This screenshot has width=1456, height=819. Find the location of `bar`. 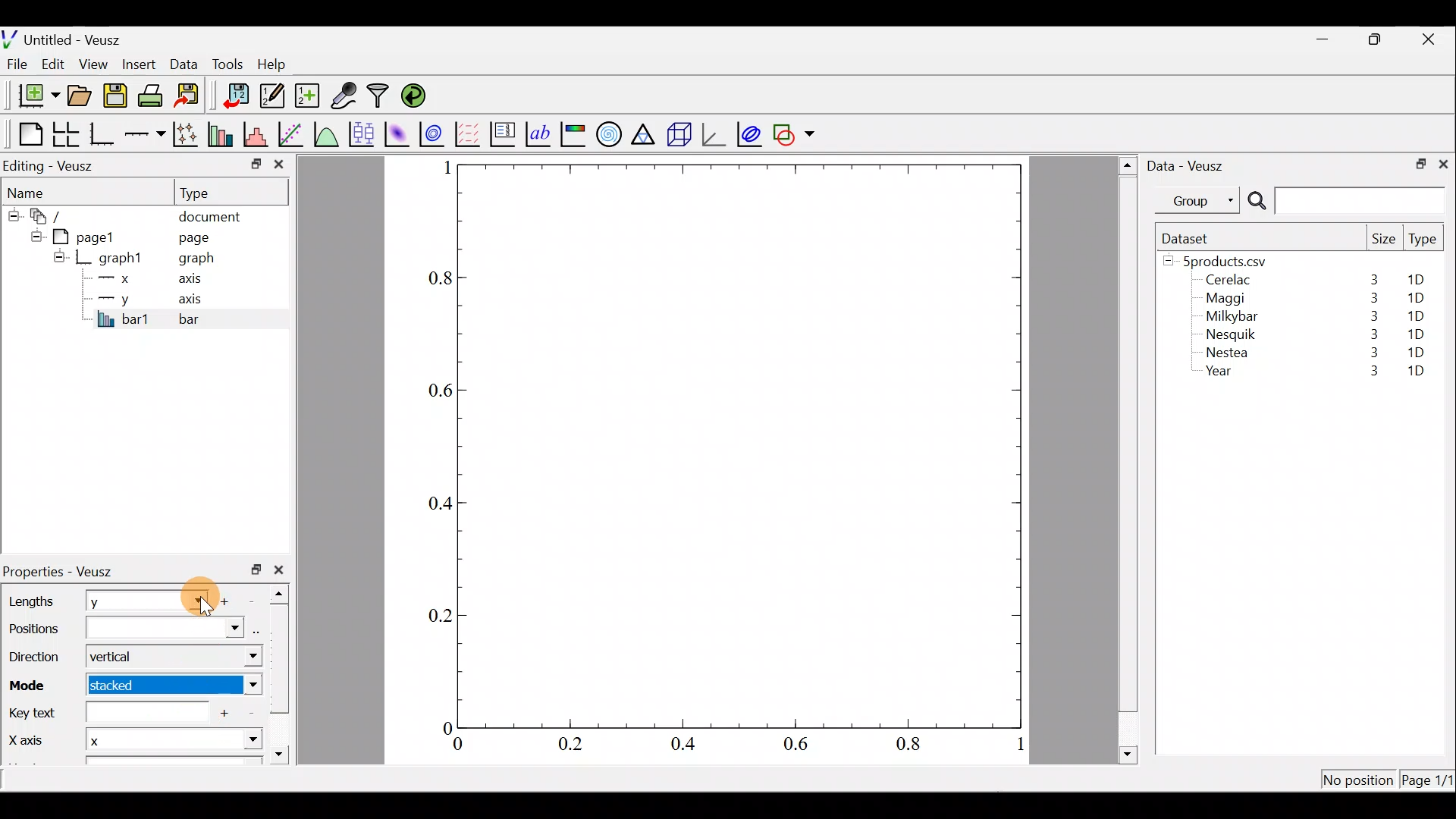

bar is located at coordinates (214, 318).